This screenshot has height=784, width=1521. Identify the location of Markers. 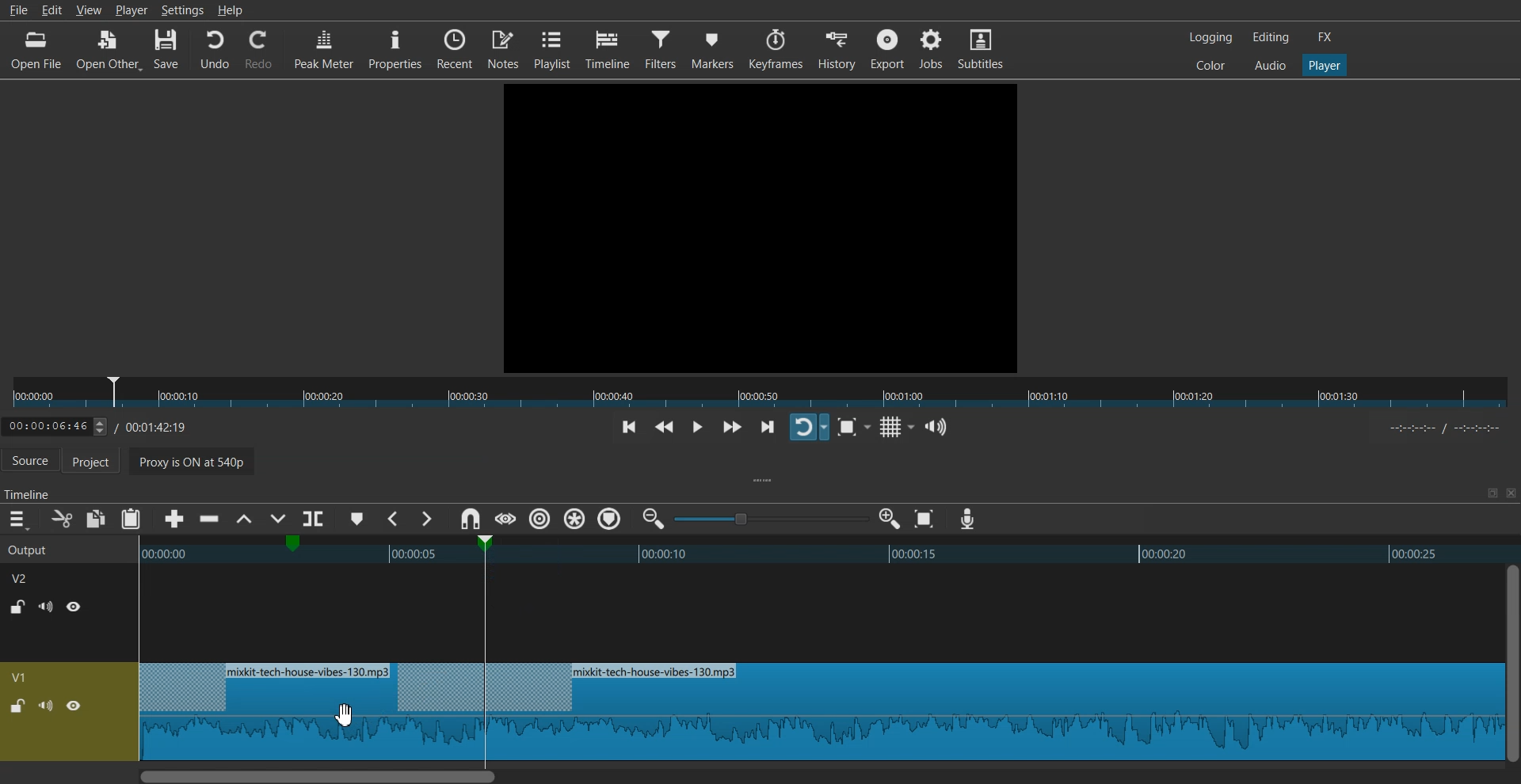
(713, 48).